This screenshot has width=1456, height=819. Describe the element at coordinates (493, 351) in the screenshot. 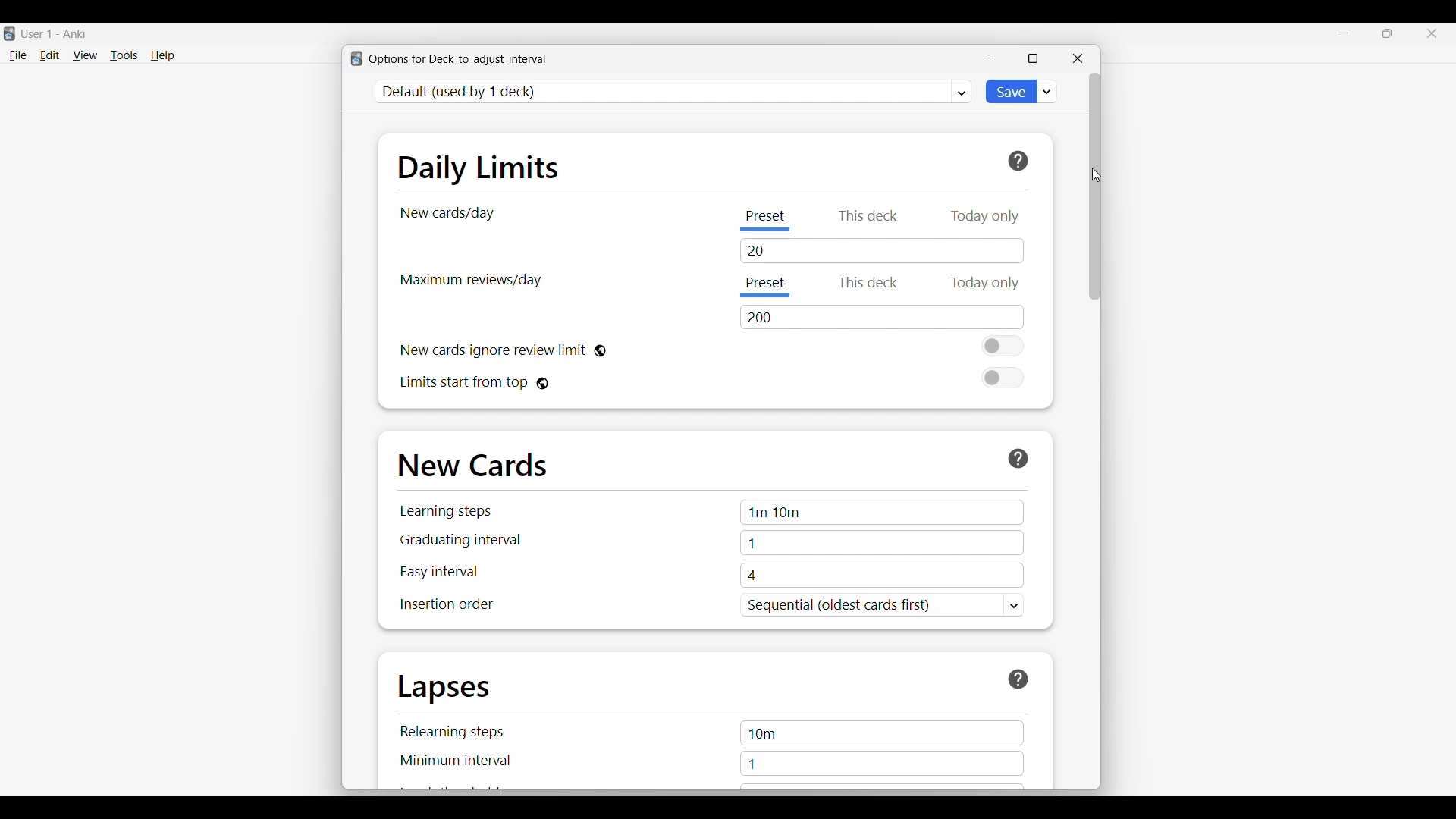

I see `Review limit info for new cards` at that location.